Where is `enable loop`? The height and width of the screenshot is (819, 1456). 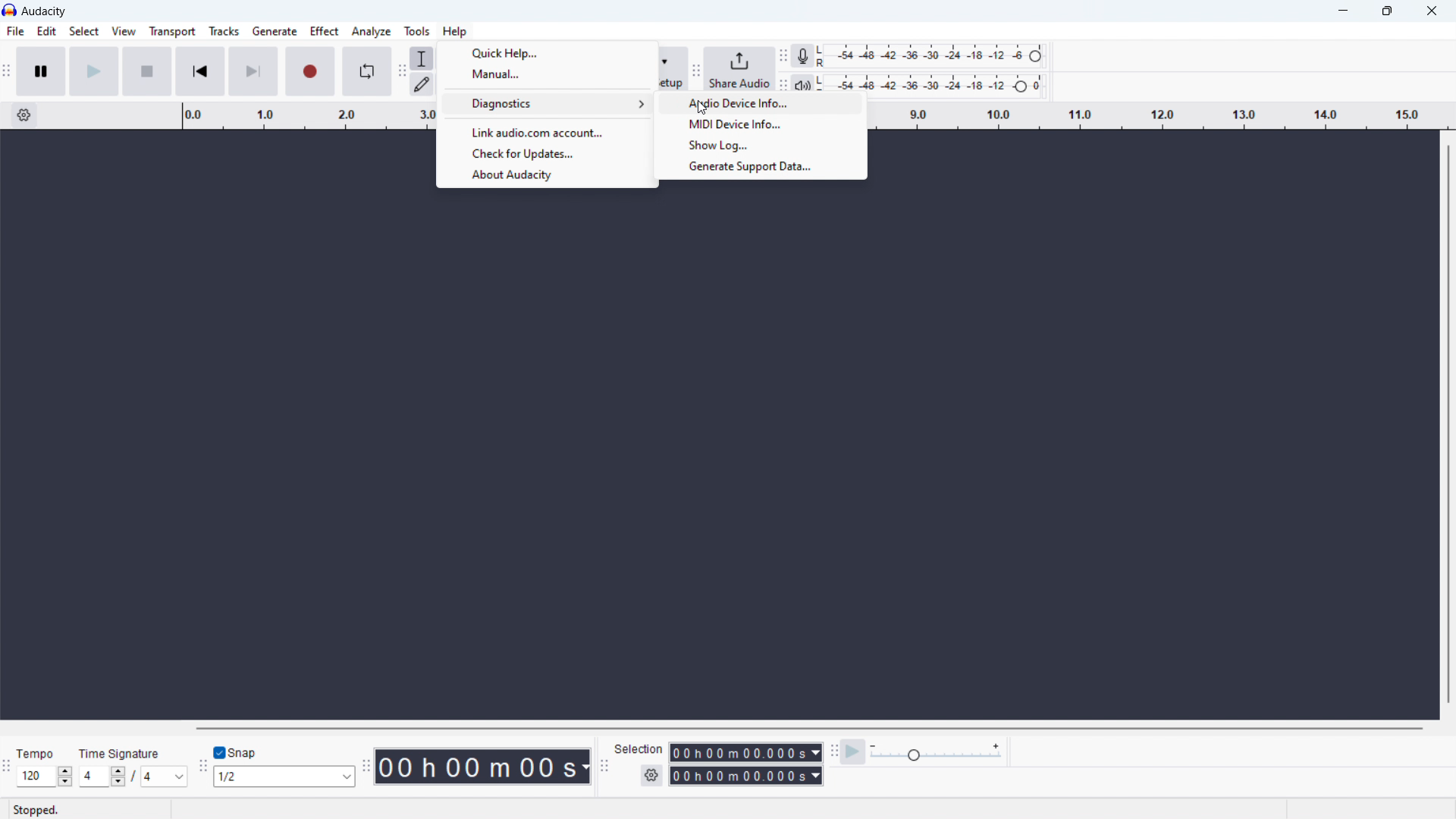
enable loop is located at coordinates (366, 71).